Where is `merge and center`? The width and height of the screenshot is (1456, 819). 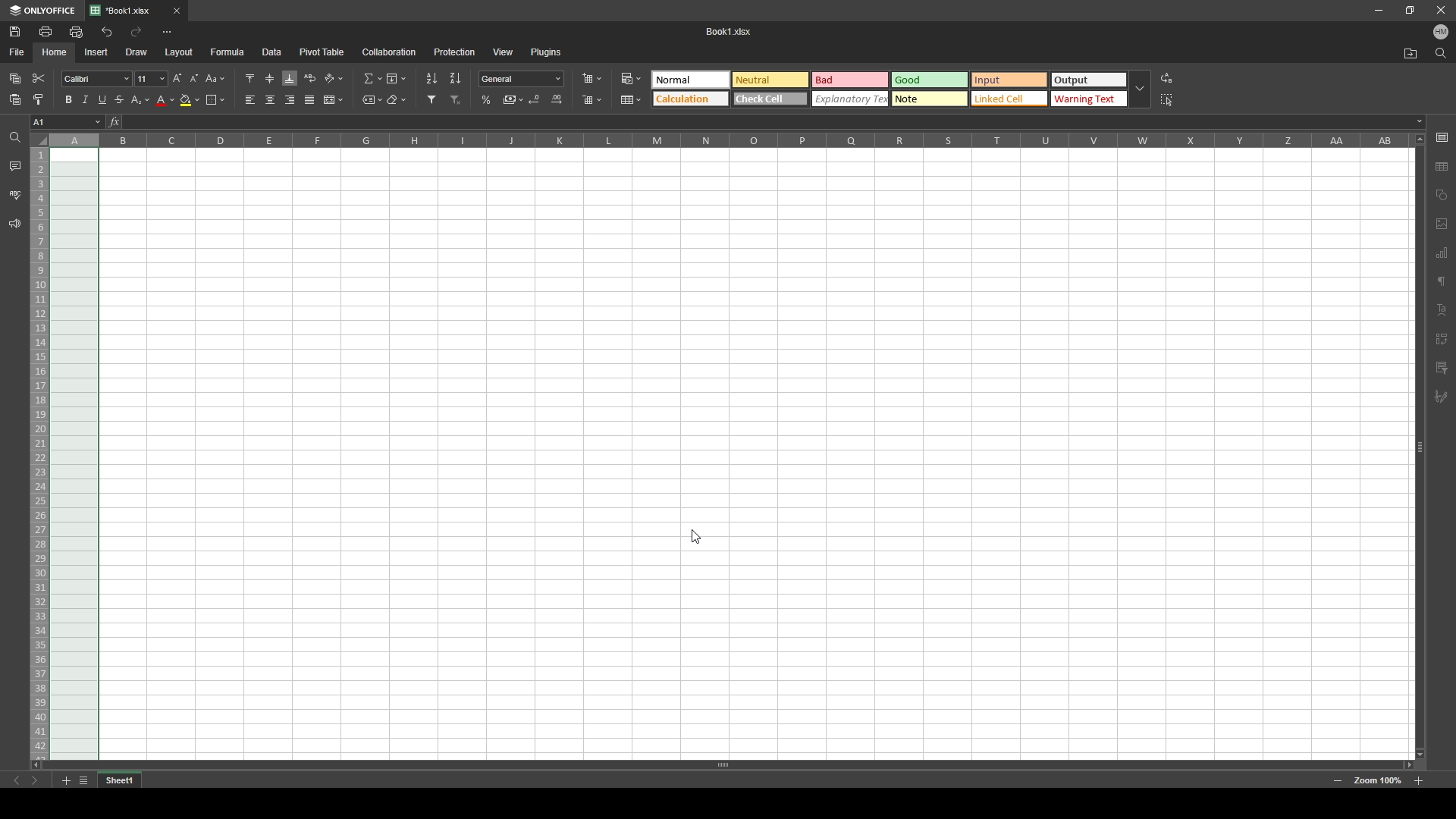 merge and center is located at coordinates (333, 99).